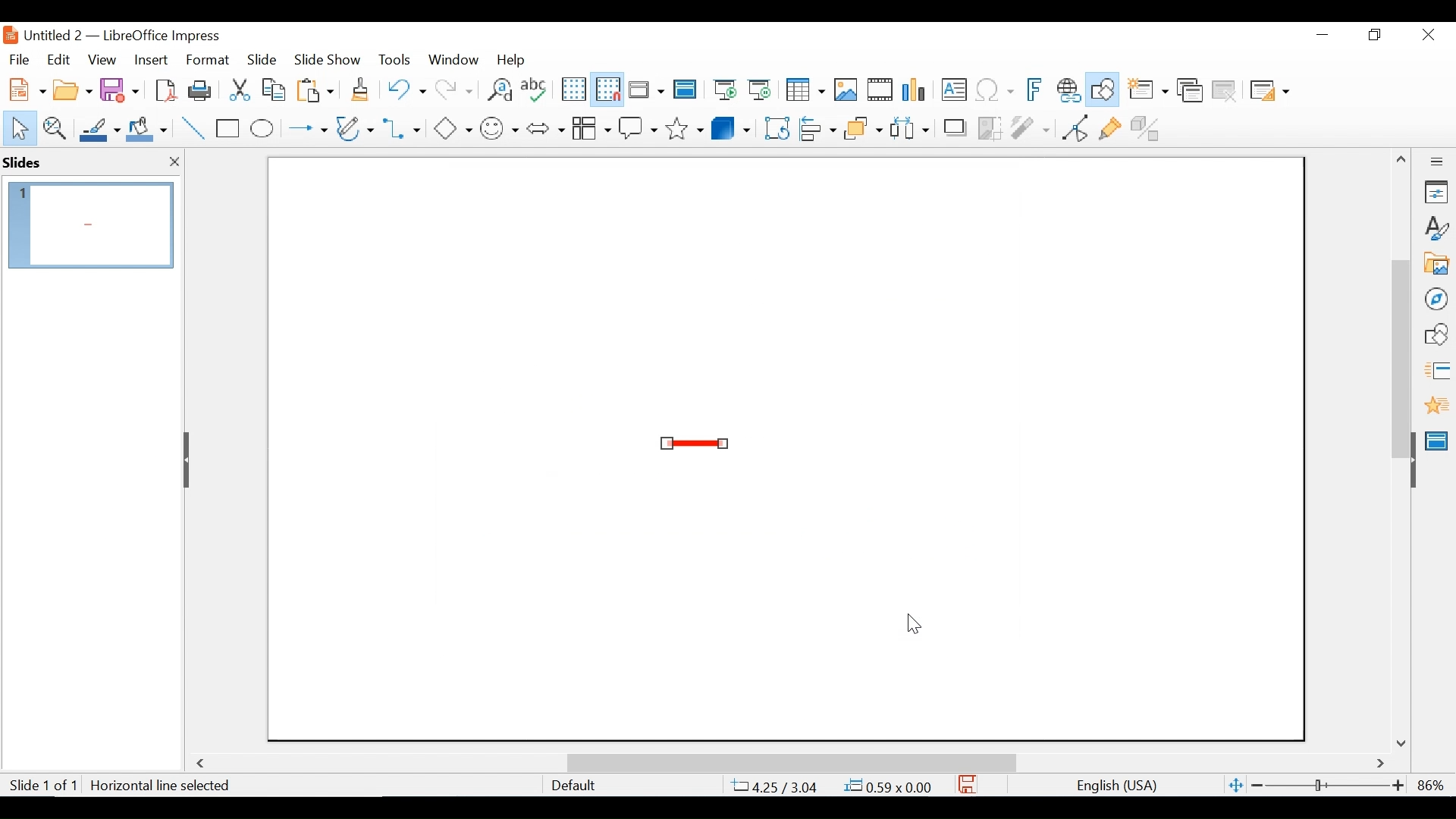  I want to click on Slide 1 of 1, so click(42, 786).